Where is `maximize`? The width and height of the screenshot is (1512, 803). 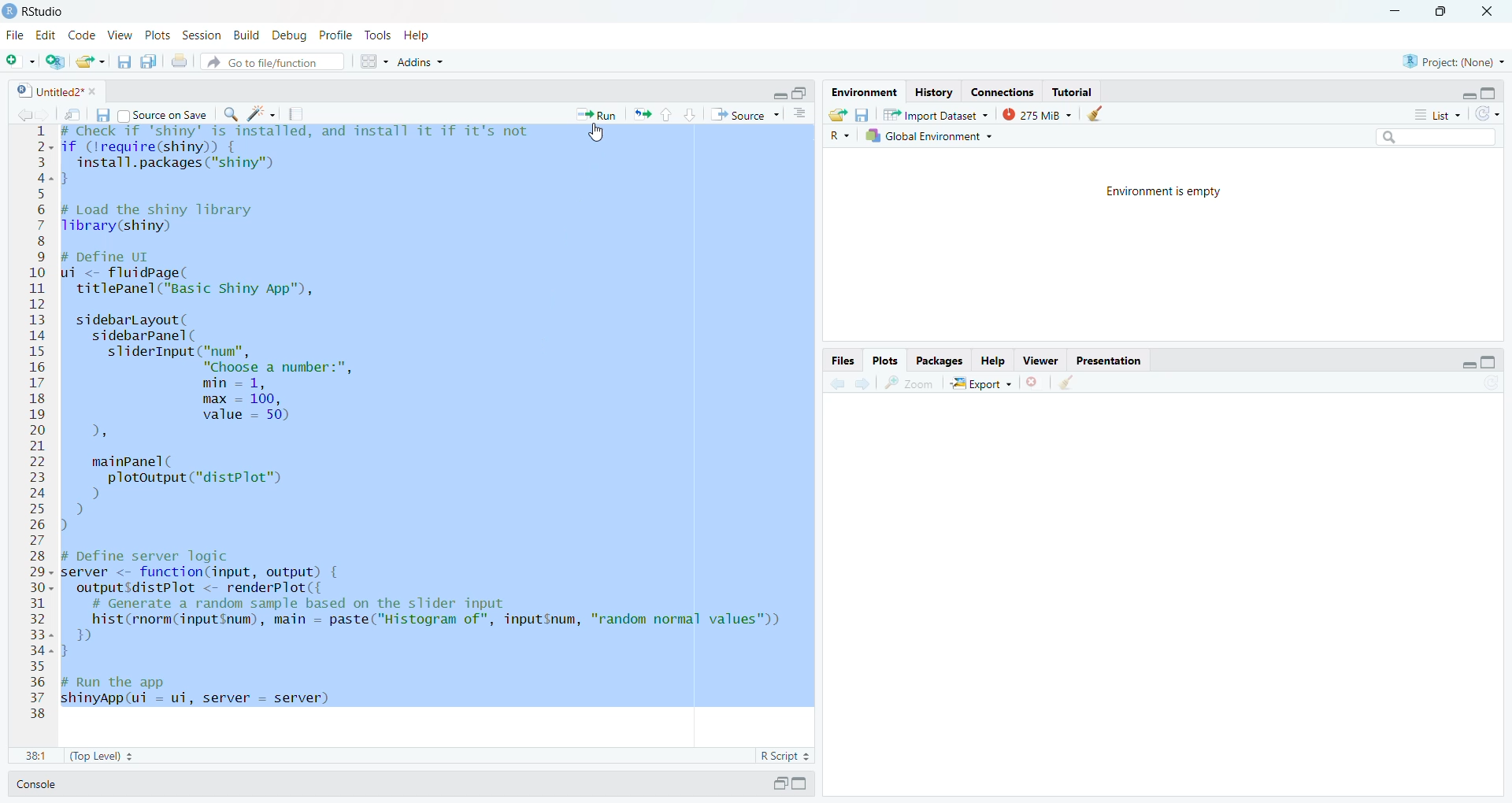 maximize is located at coordinates (1490, 93).